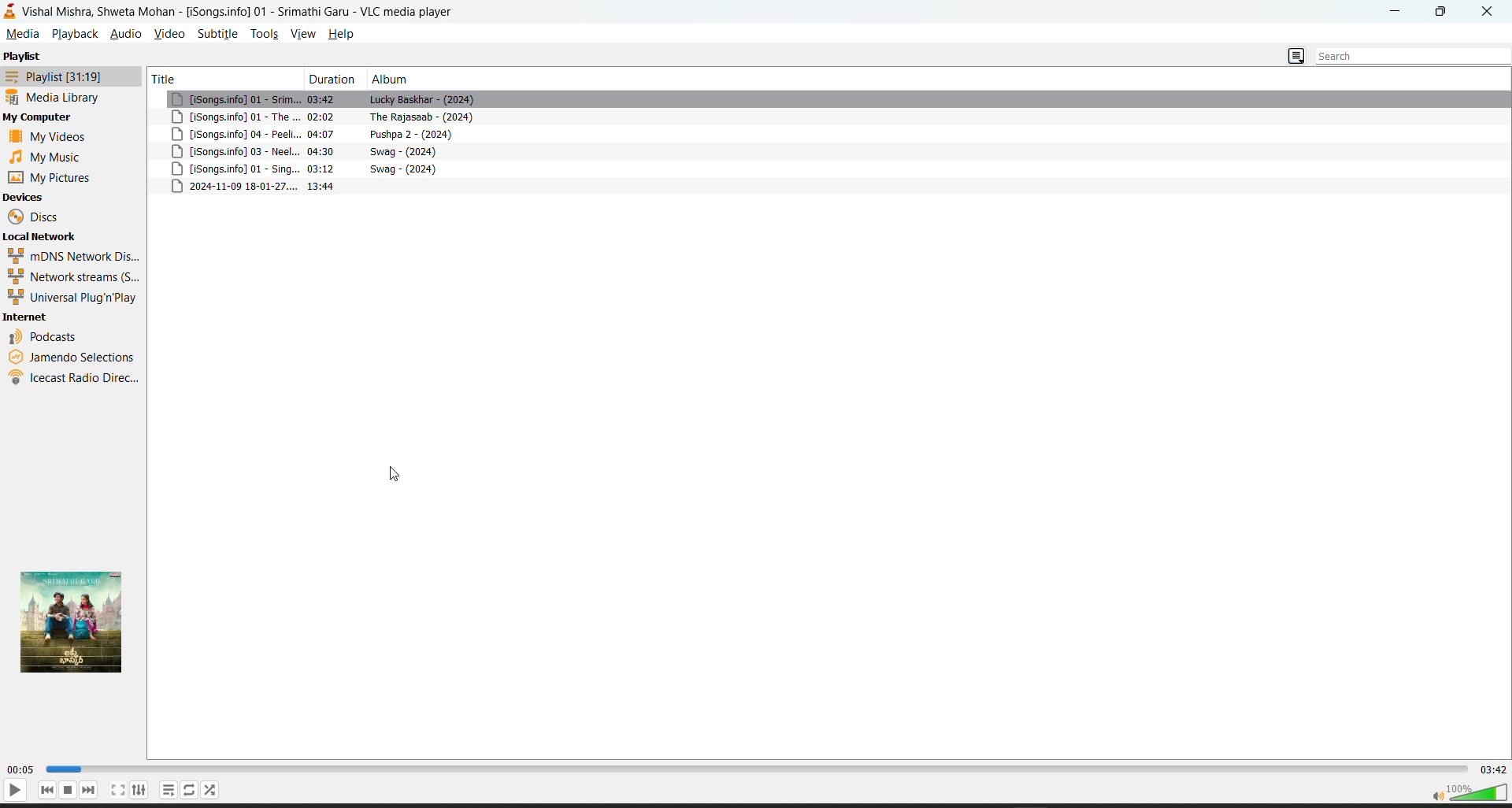 The height and width of the screenshot is (808, 1512). I want to click on discs, so click(37, 217).